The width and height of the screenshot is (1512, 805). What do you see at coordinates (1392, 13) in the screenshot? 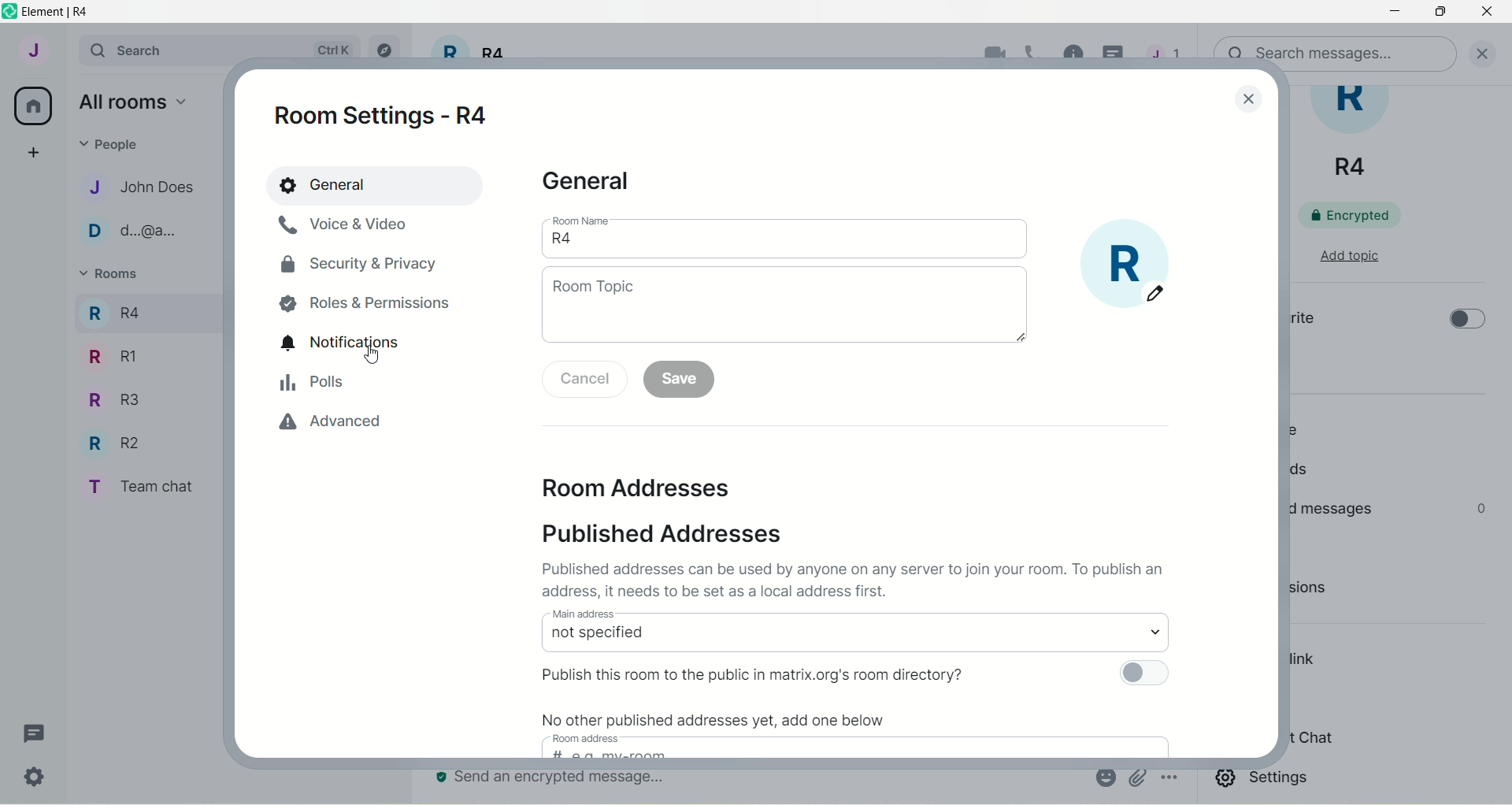
I see `minimize` at bounding box center [1392, 13].